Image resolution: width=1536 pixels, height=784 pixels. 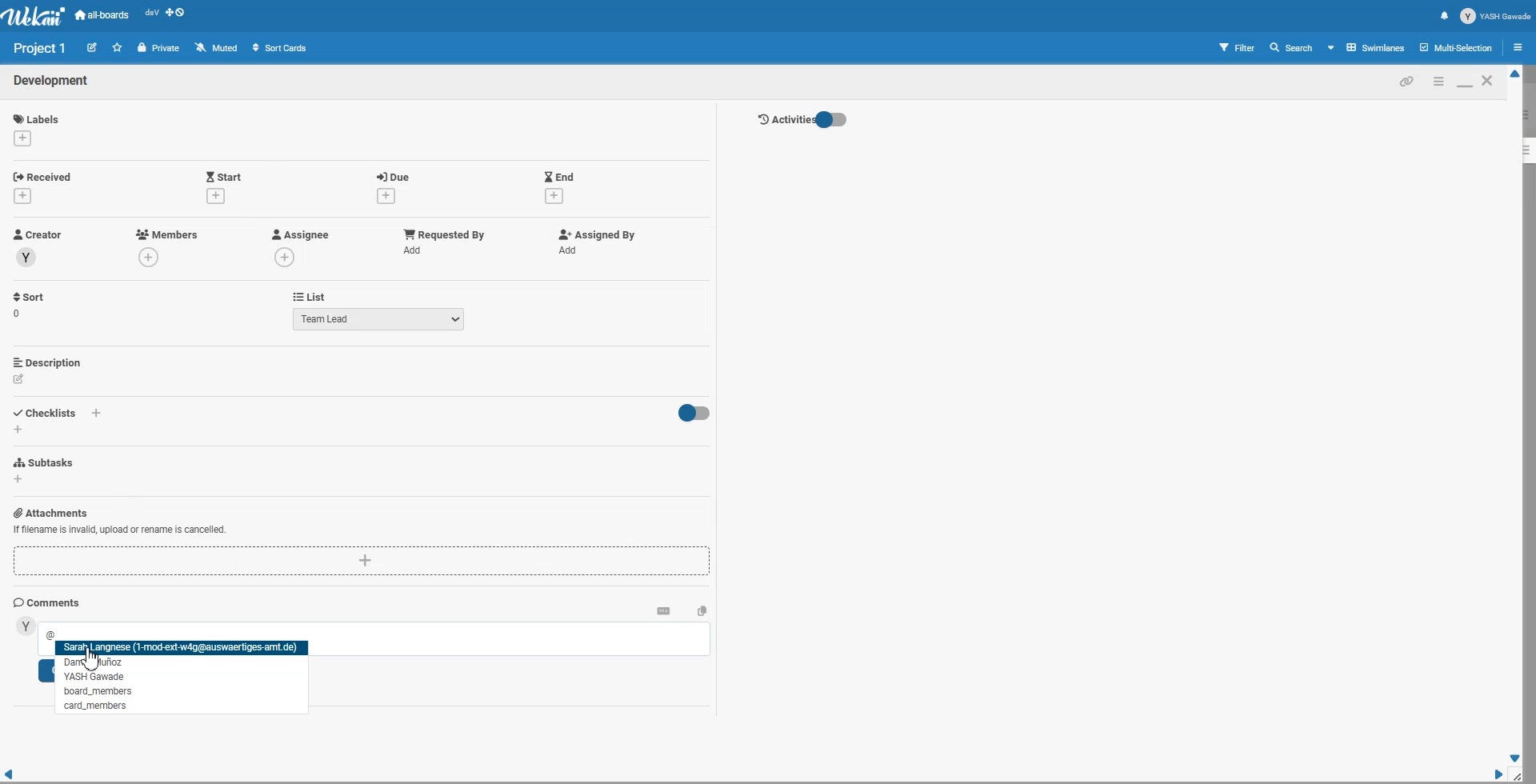 I want to click on Copy text to clipboard, so click(x=702, y=610).